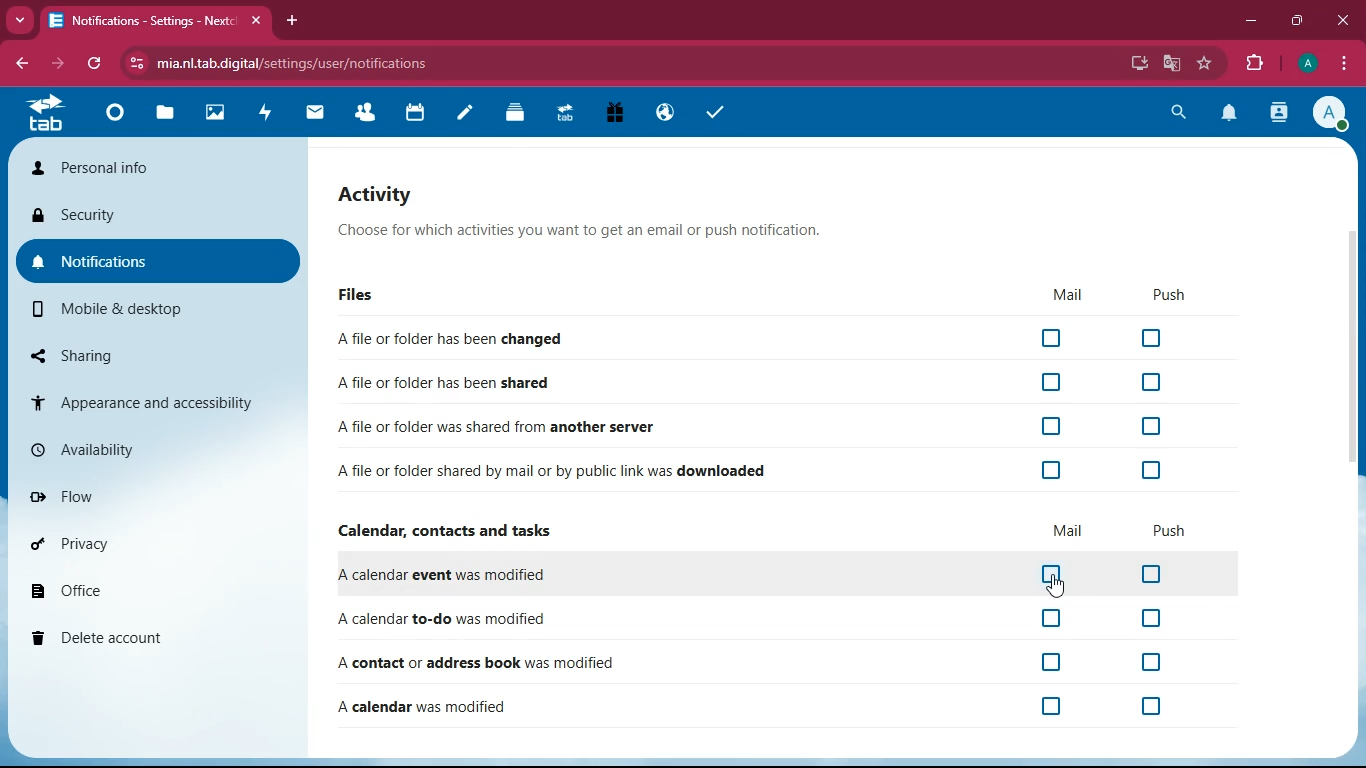 The image size is (1366, 768). Describe the element at coordinates (1345, 63) in the screenshot. I see `options` at that location.